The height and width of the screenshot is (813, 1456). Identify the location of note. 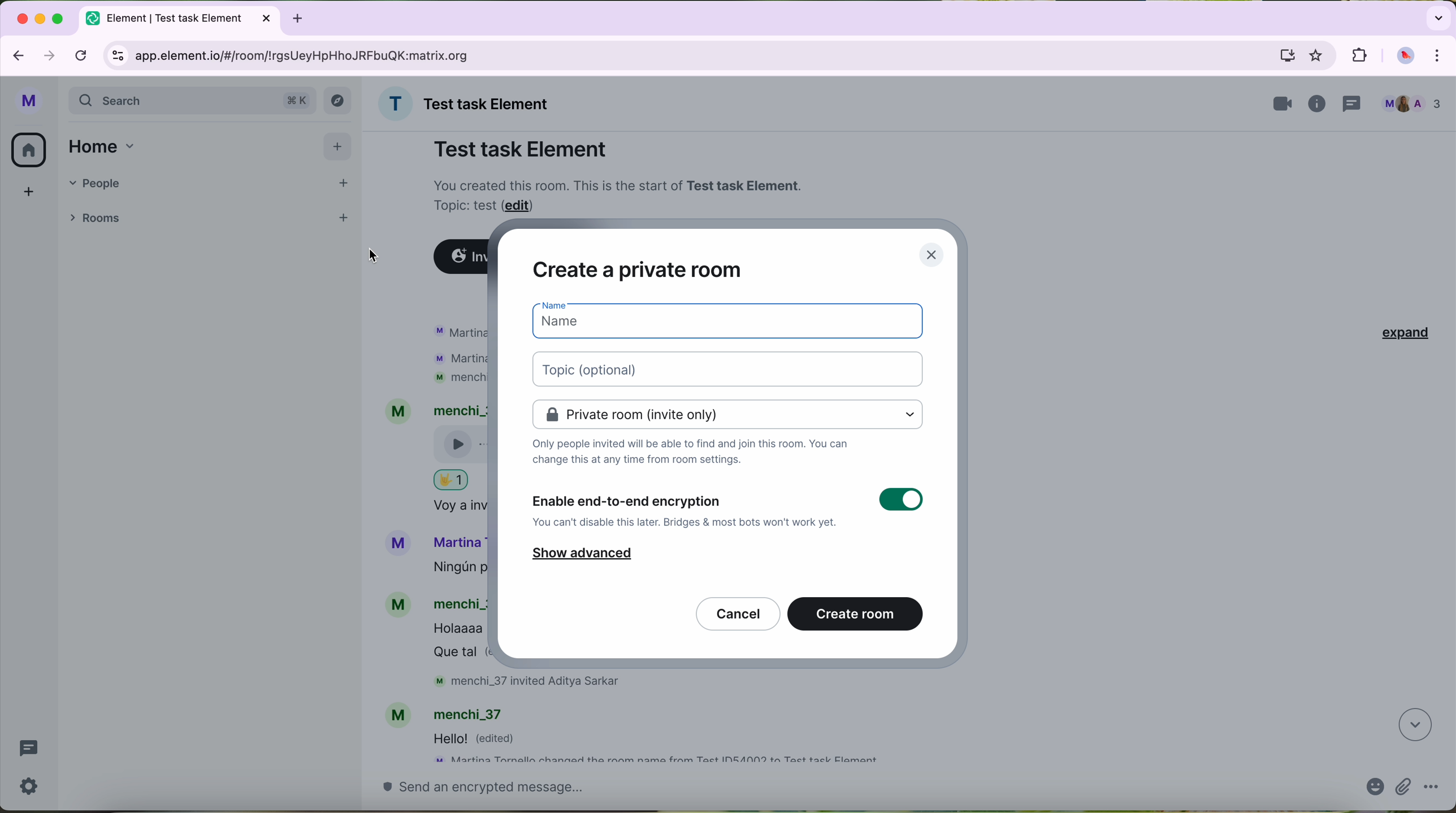
(621, 194).